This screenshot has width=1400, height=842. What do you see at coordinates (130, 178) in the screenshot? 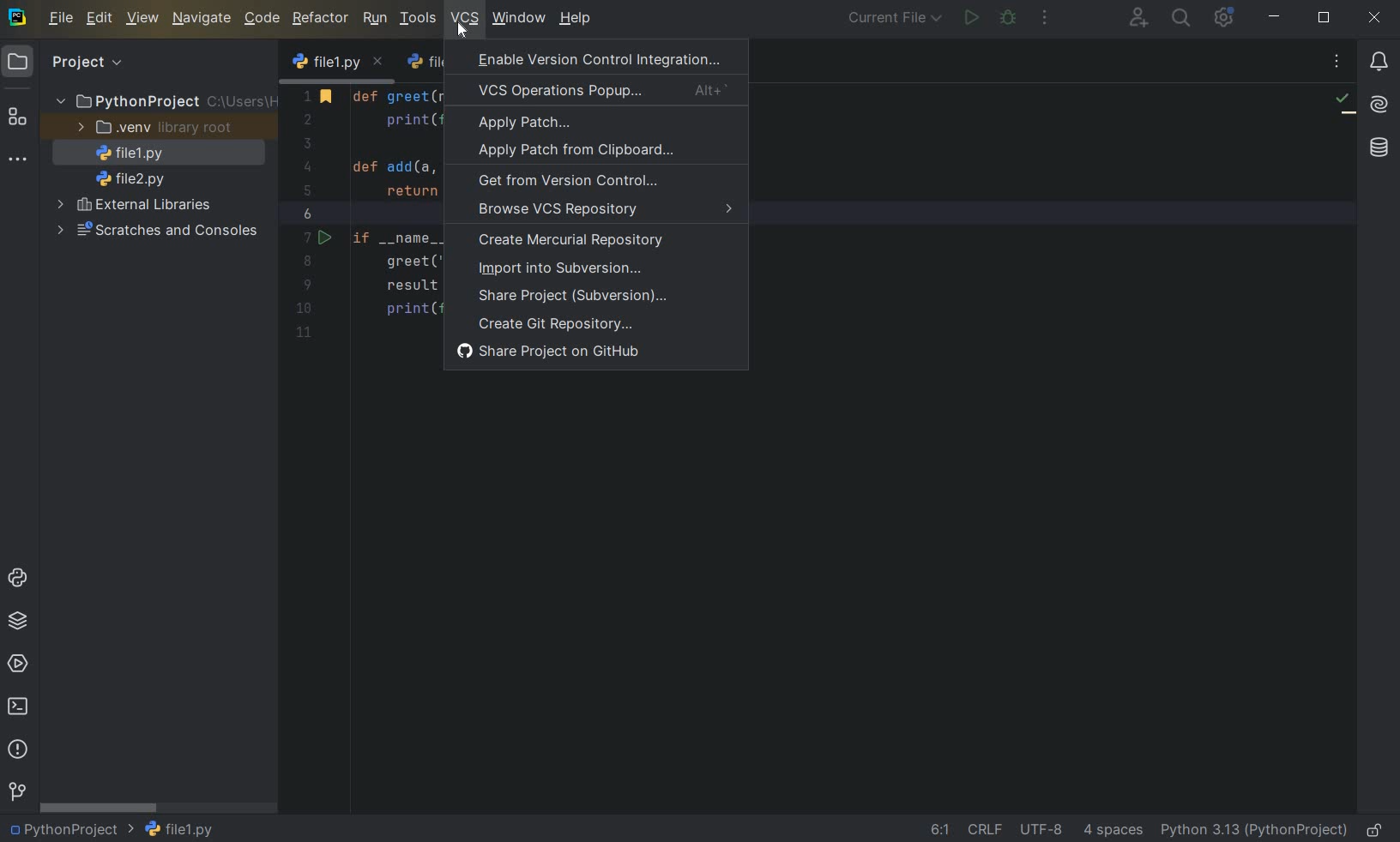
I see `file name 2` at bounding box center [130, 178].